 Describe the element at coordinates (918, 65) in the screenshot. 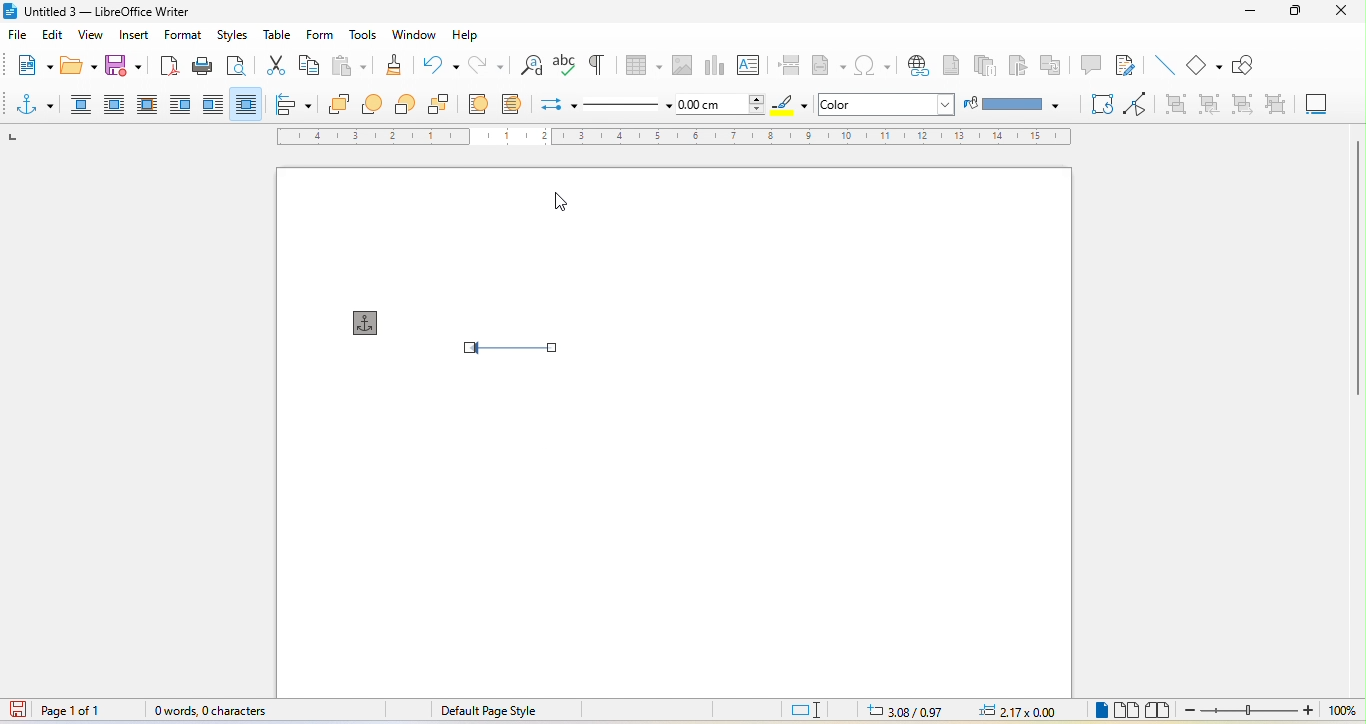

I see `hyperlink` at that location.